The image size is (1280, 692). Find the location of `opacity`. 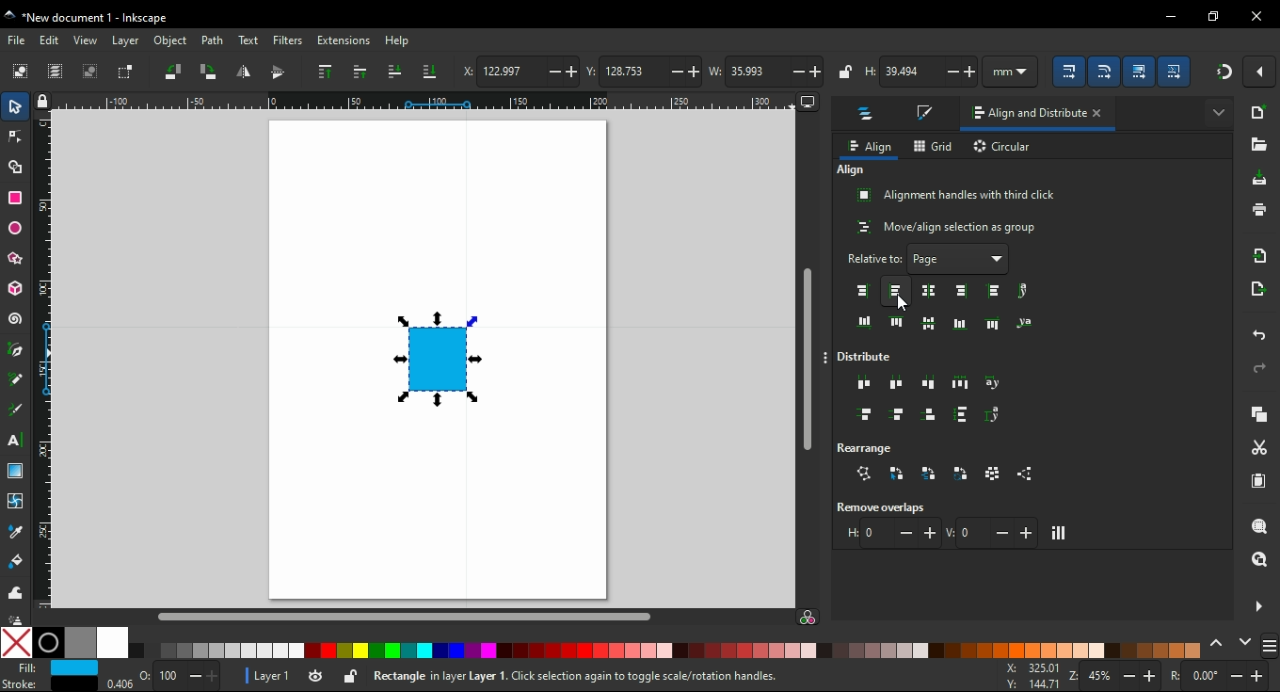

opacity is located at coordinates (164, 678).